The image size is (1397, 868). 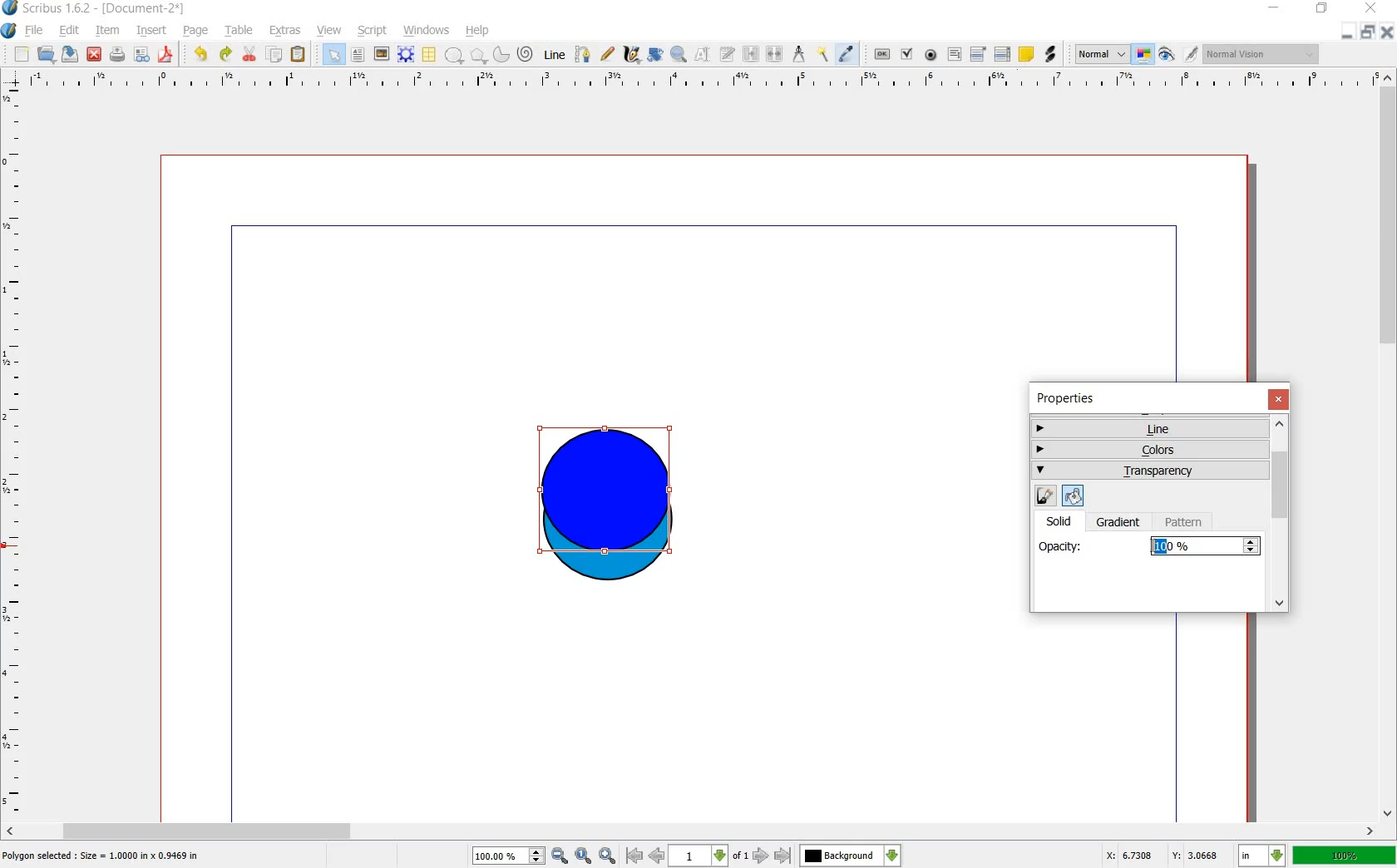 I want to click on Polygon selected : size = 1.0000 in x 1.9469 in, so click(x=102, y=855).